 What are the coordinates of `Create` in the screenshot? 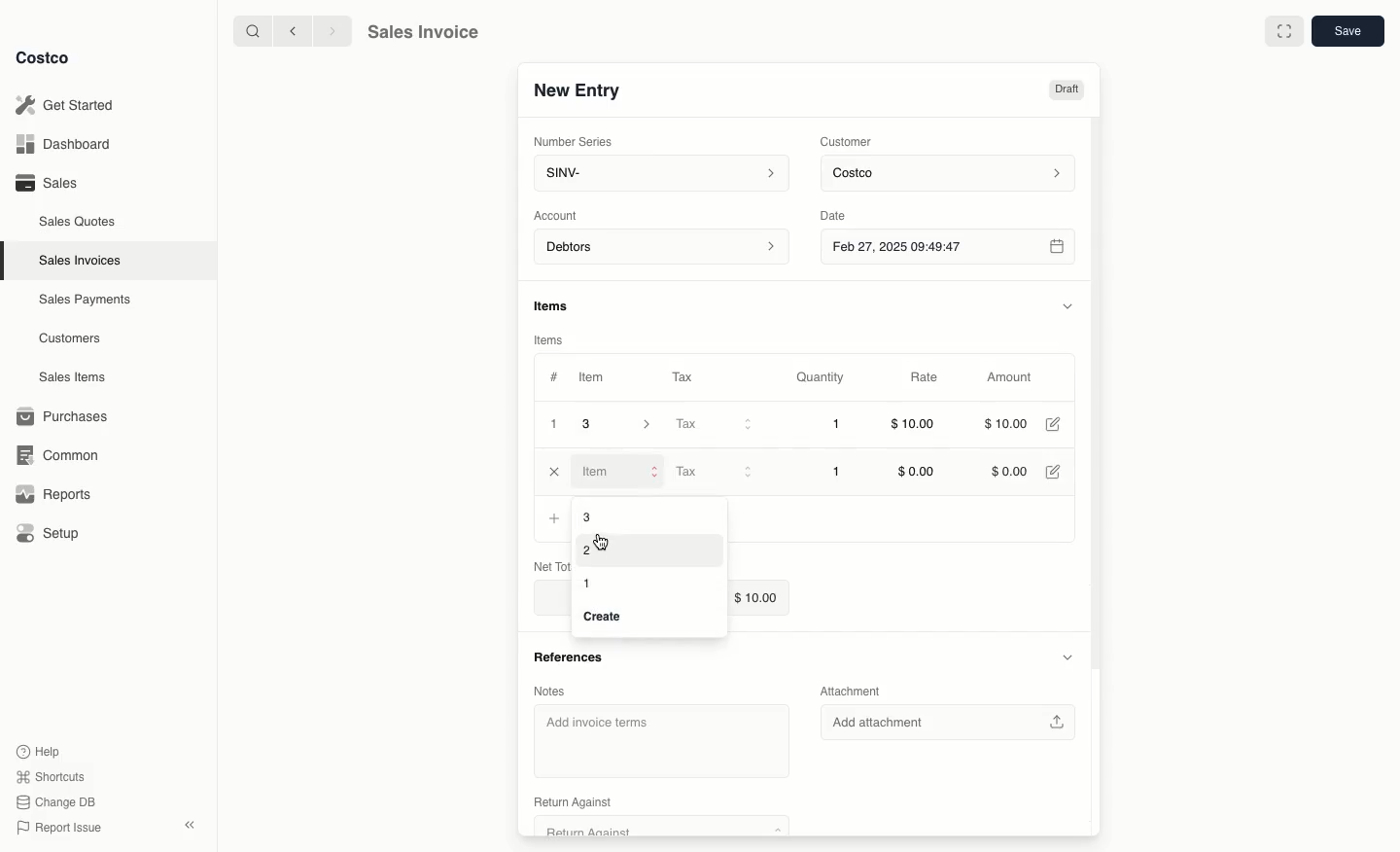 It's located at (608, 618).